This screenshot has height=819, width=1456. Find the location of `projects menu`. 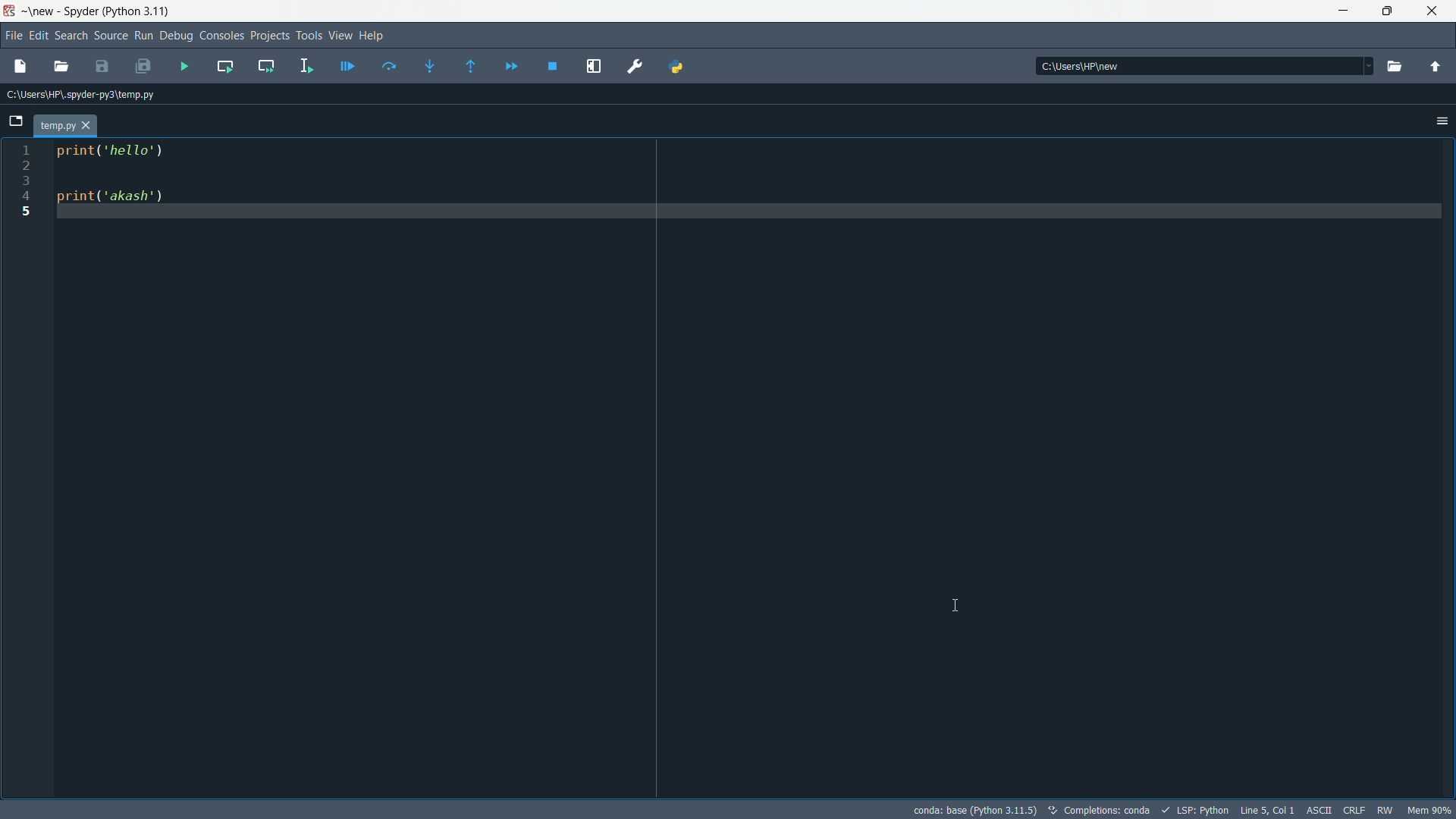

projects menu is located at coordinates (270, 36).